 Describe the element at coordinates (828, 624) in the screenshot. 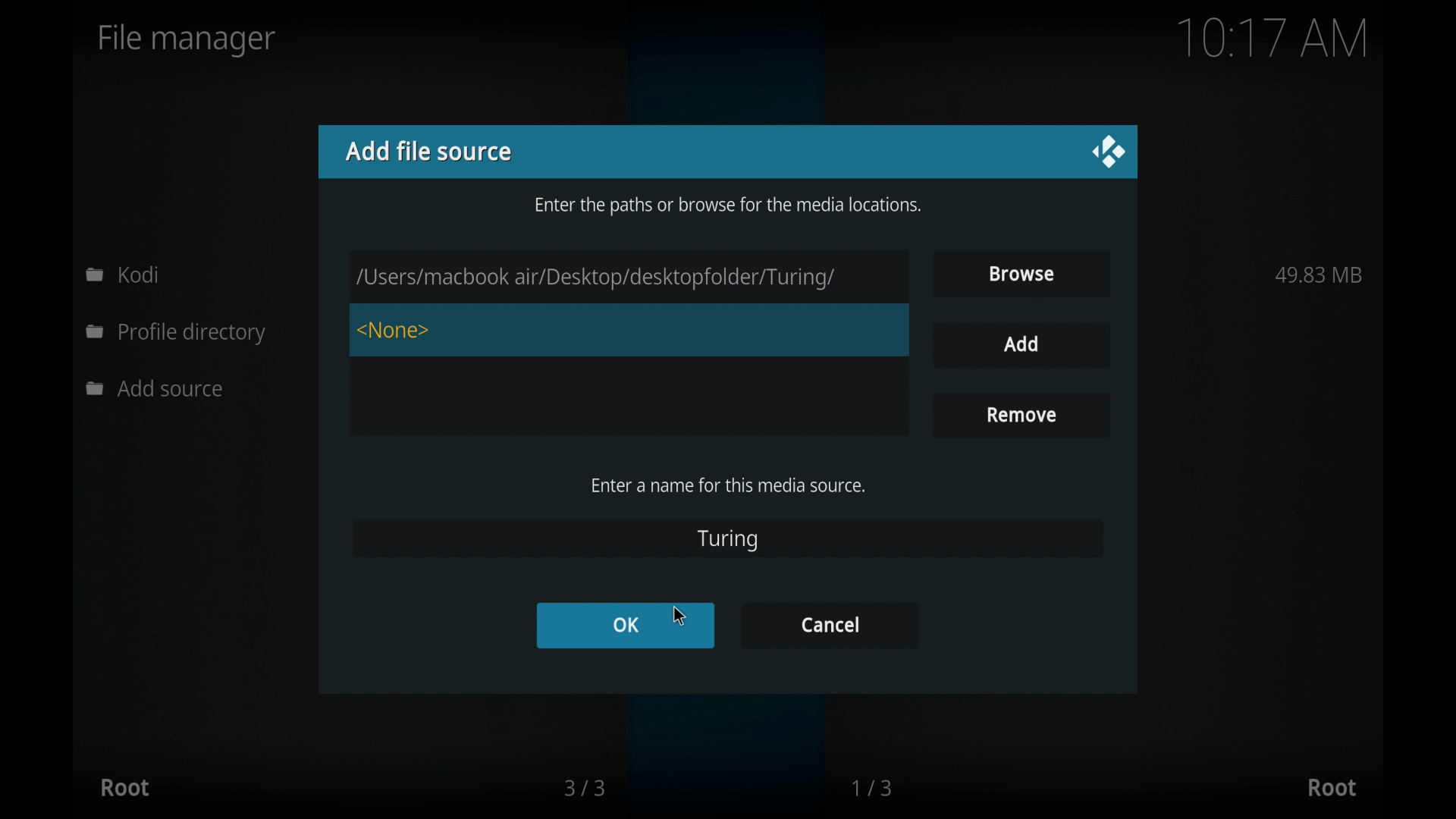

I see `cancel` at that location.